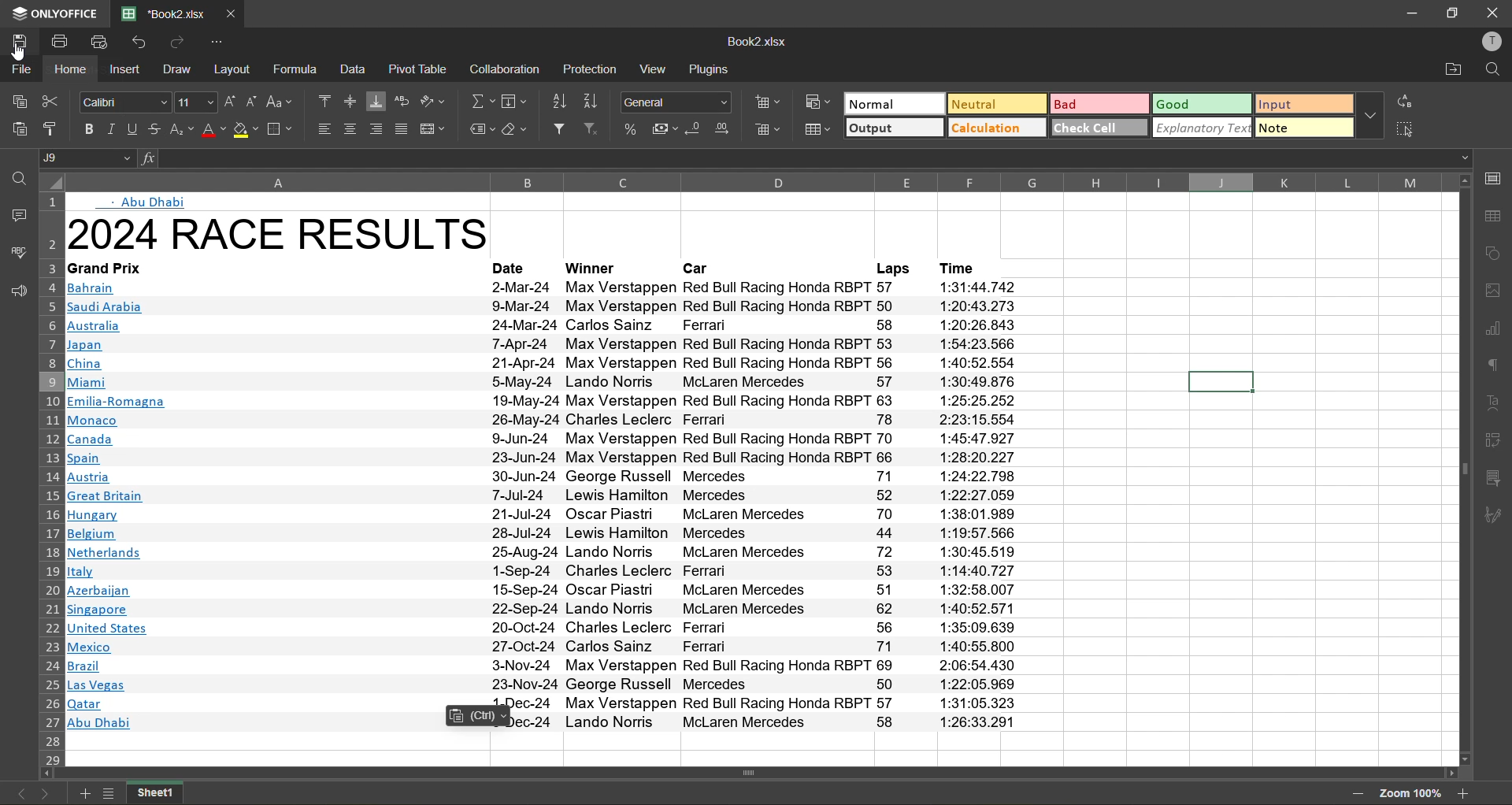 The height and width of the screenshot is (805, 1512). What do you see at coordinates (480, 102) in the screenshot?
I see `summation` at bounding box center [480, 102].